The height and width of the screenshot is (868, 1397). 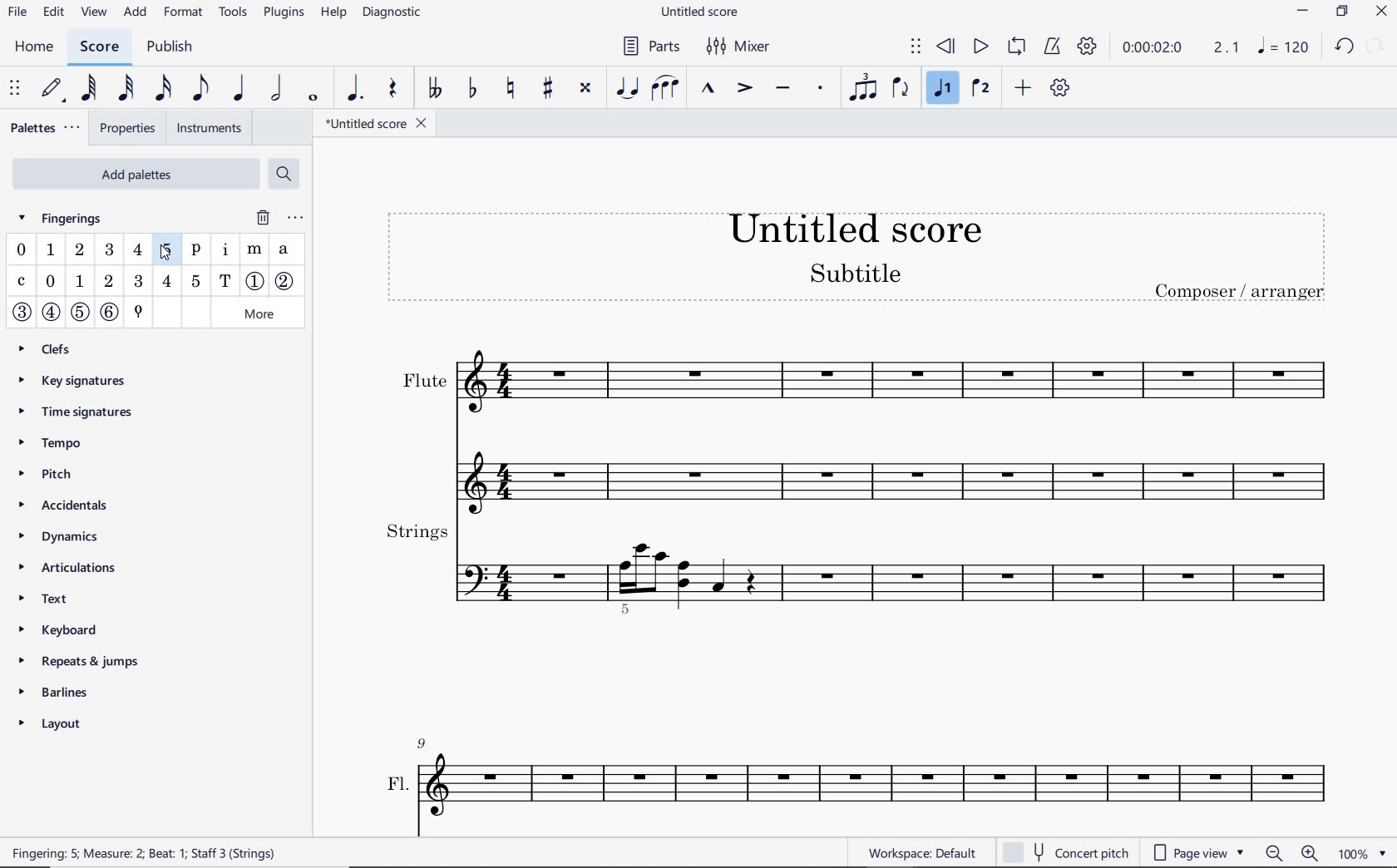 I want to click on repeats & jumps, so click(x=91, y=659).